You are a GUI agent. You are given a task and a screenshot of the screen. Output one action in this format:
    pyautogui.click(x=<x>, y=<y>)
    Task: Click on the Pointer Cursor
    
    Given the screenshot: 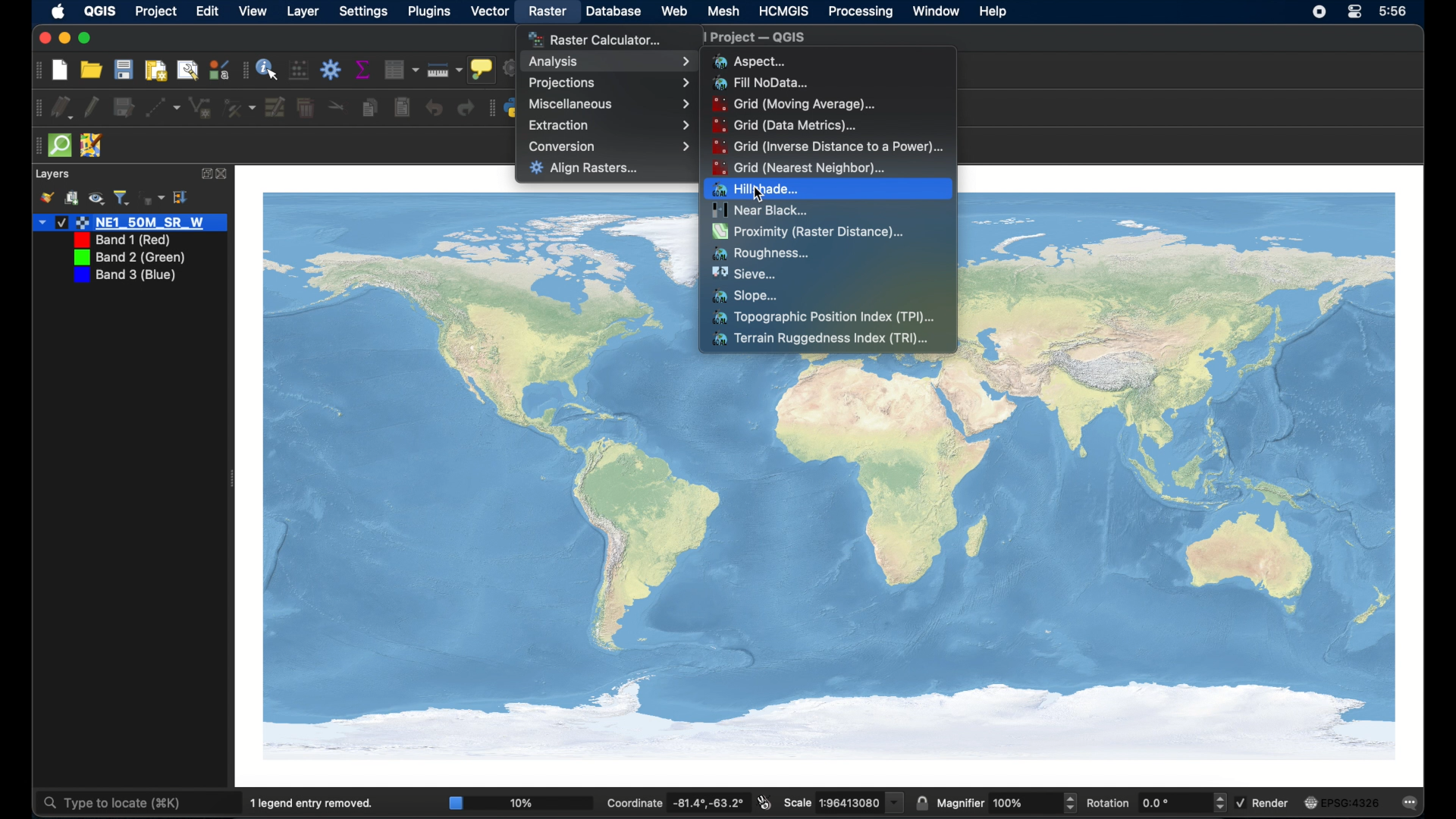 What is the action you would take?
    pyautogui.click(x=764, y=187)
    